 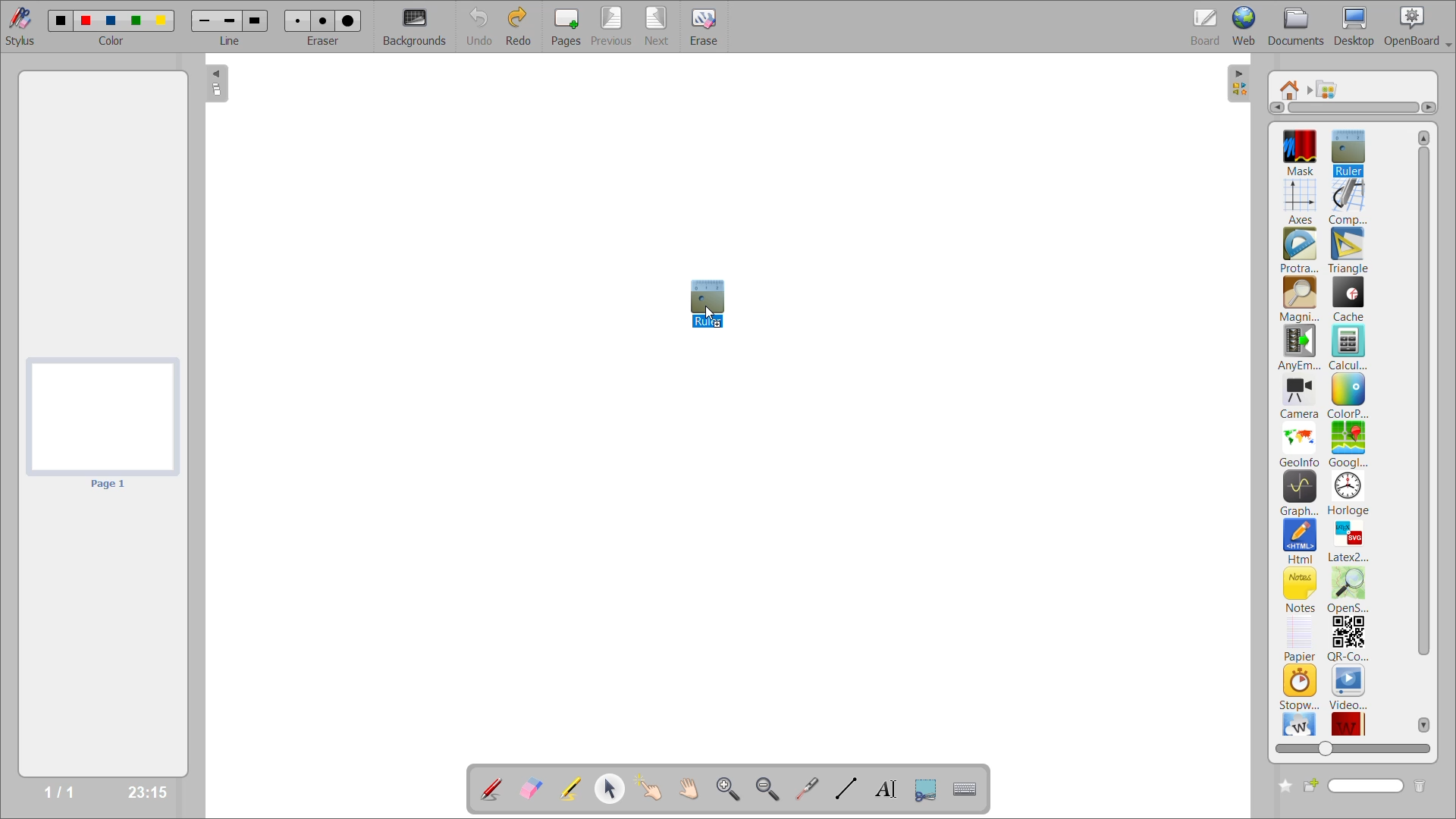 What do you see at coordinates (1300, 398) in the screenshot?
I see `camera` at bounding box center [1300, 398].